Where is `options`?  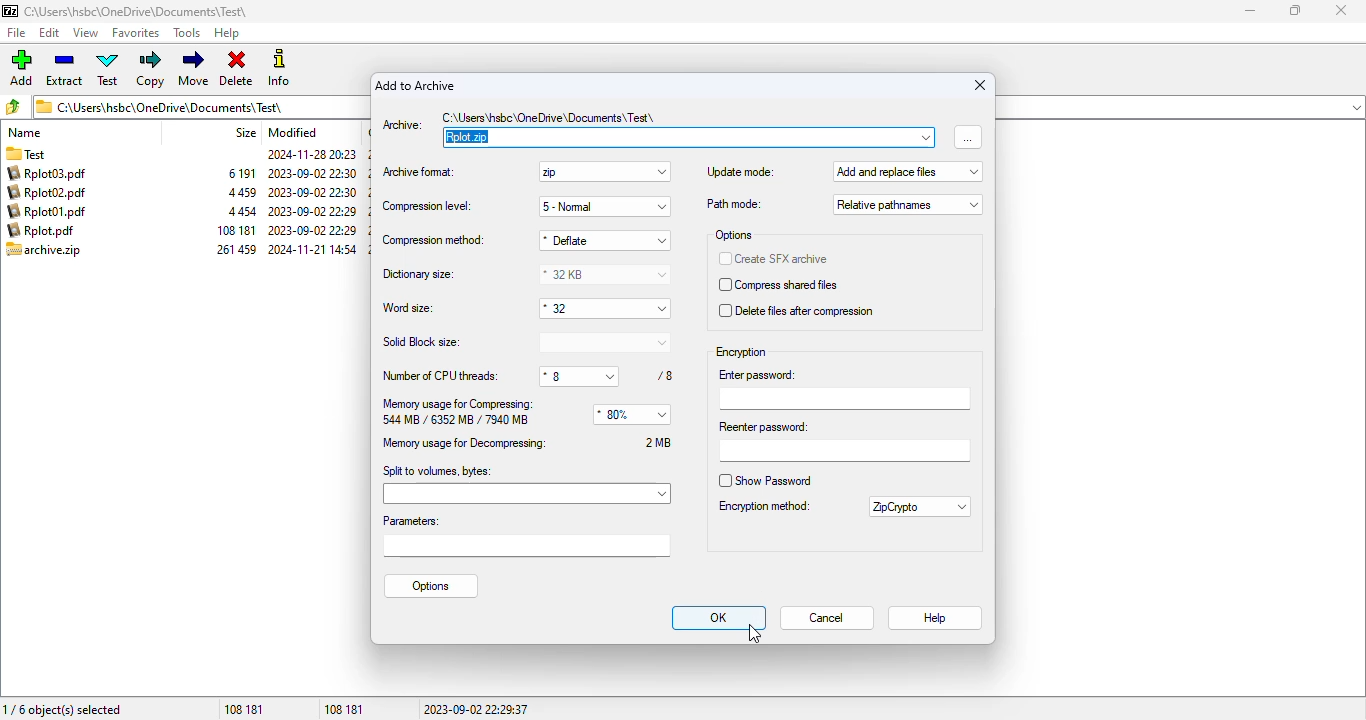
options is located at coordinates (735, 235).